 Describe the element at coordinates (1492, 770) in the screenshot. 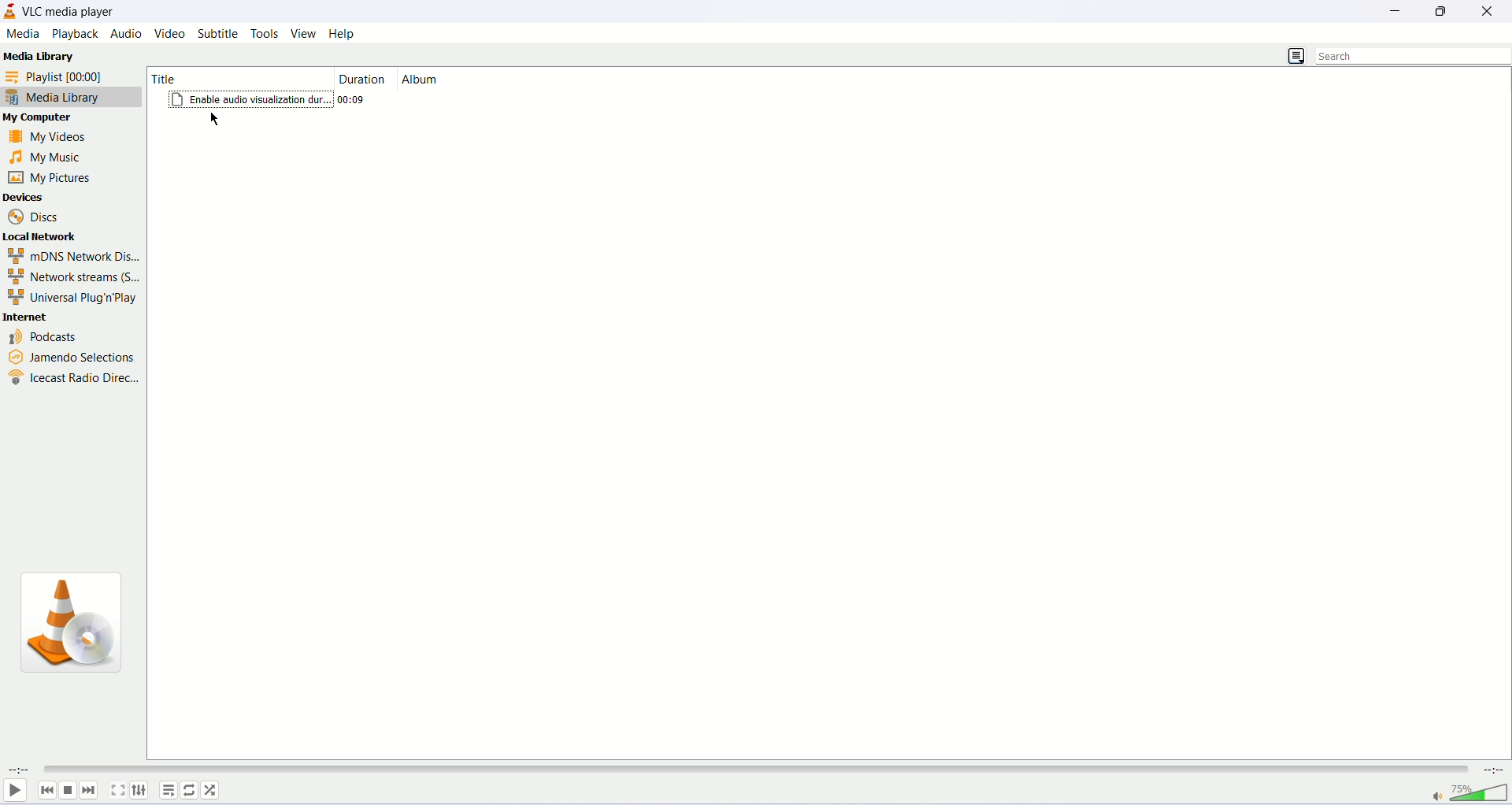

I see `remaining time` at that location.